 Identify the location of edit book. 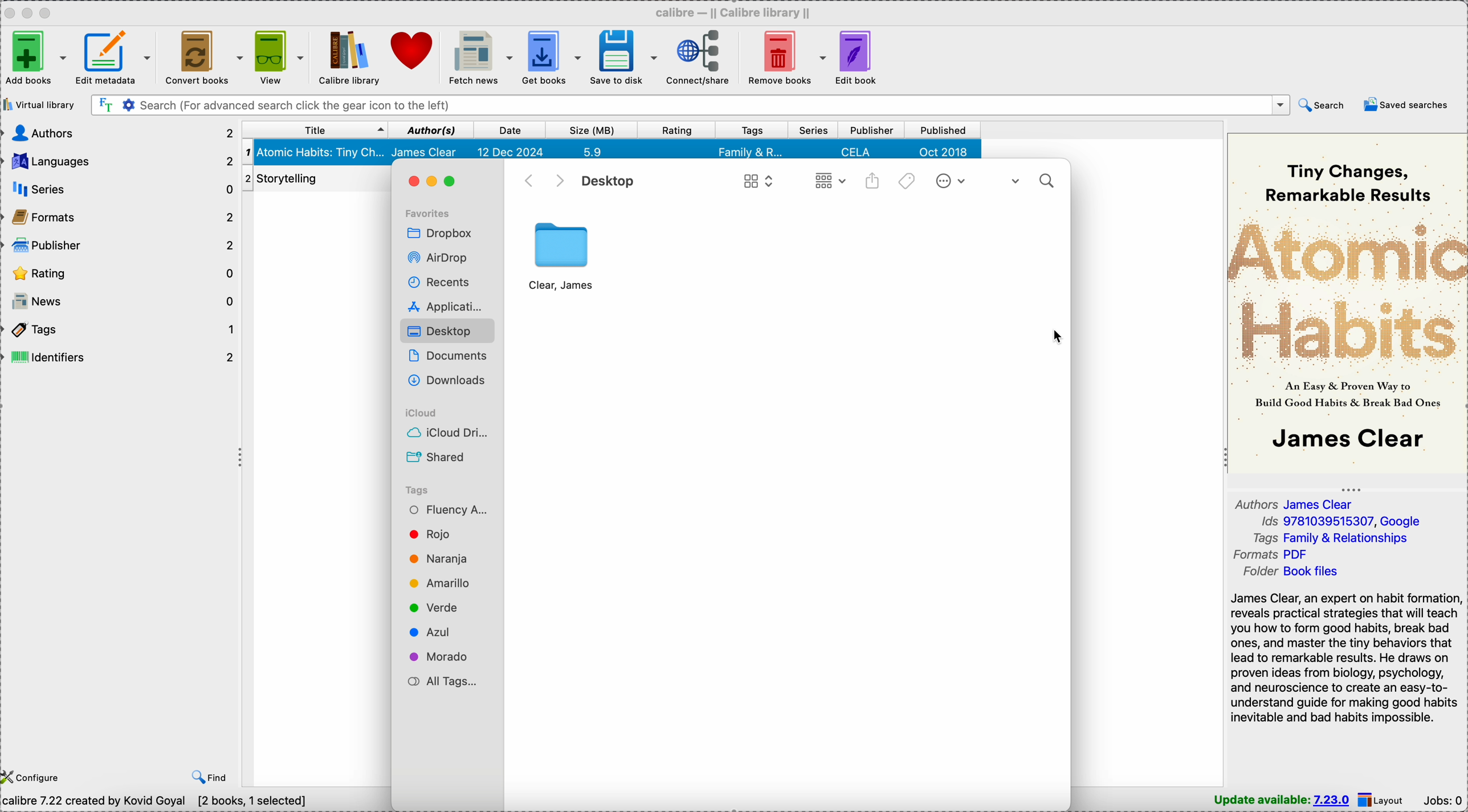
(861, 55).